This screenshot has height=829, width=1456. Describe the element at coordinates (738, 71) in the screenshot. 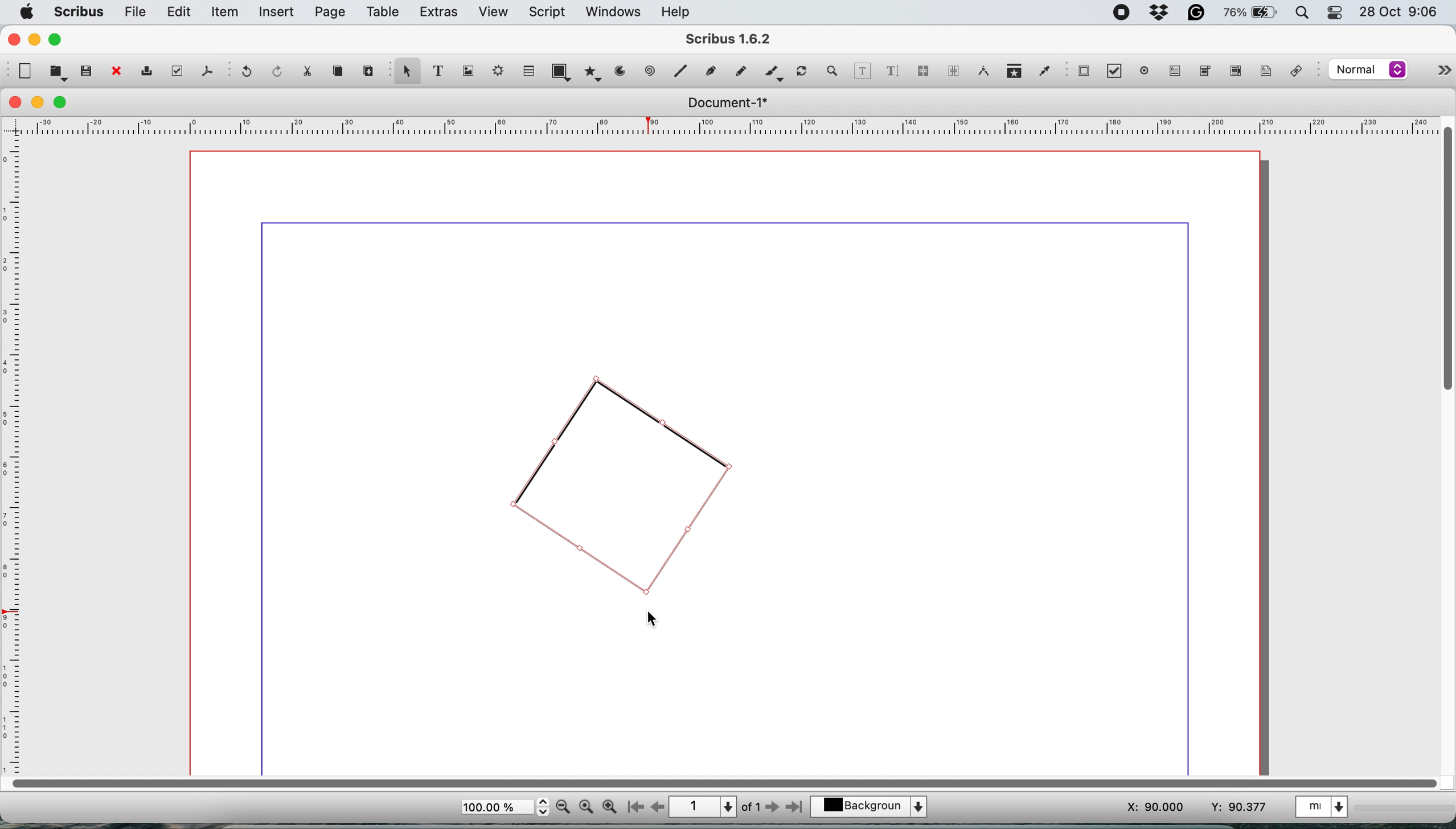

I see `freehand line` at that location.